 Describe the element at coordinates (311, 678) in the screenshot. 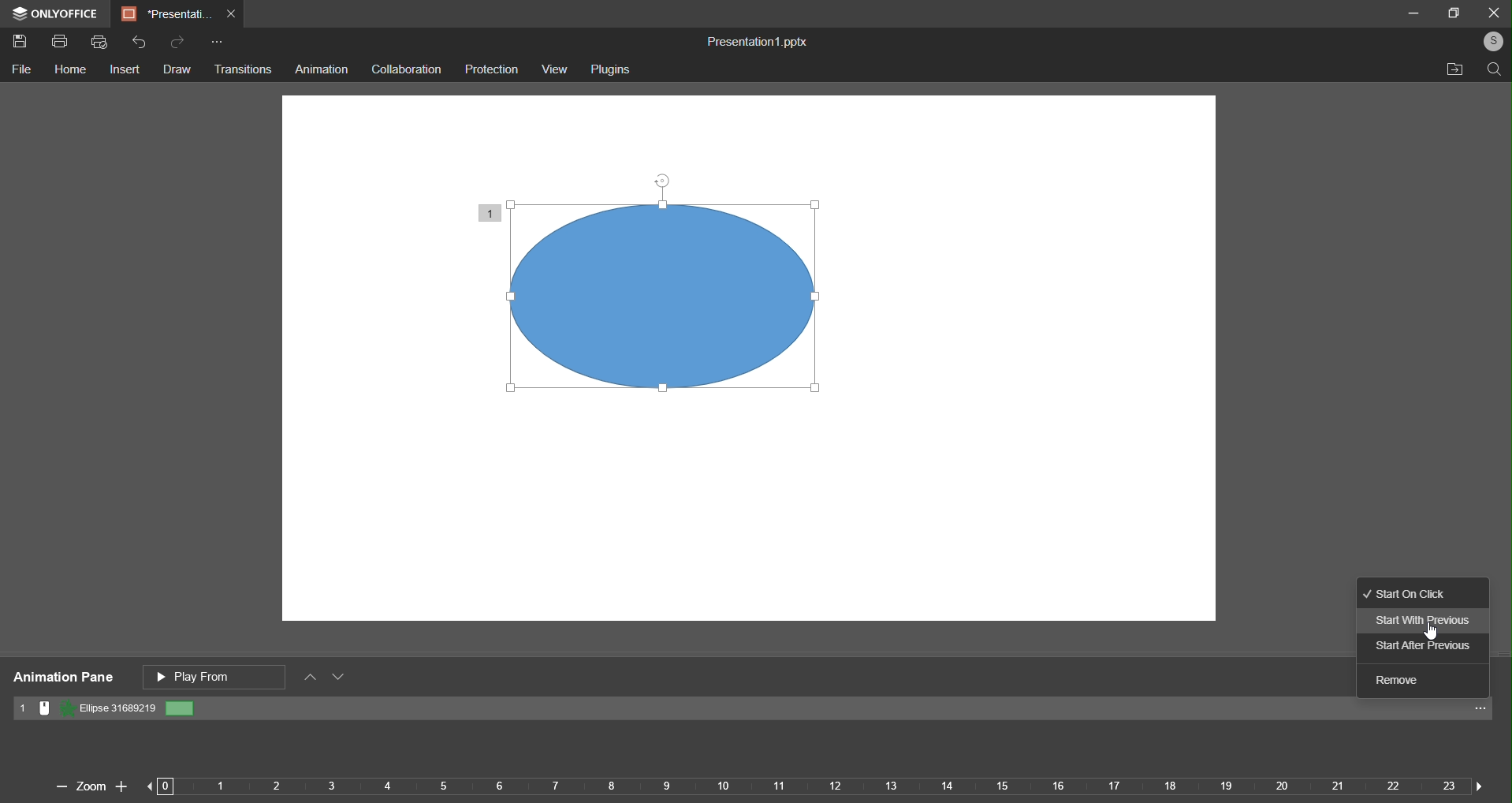

I see `move up` at that location.